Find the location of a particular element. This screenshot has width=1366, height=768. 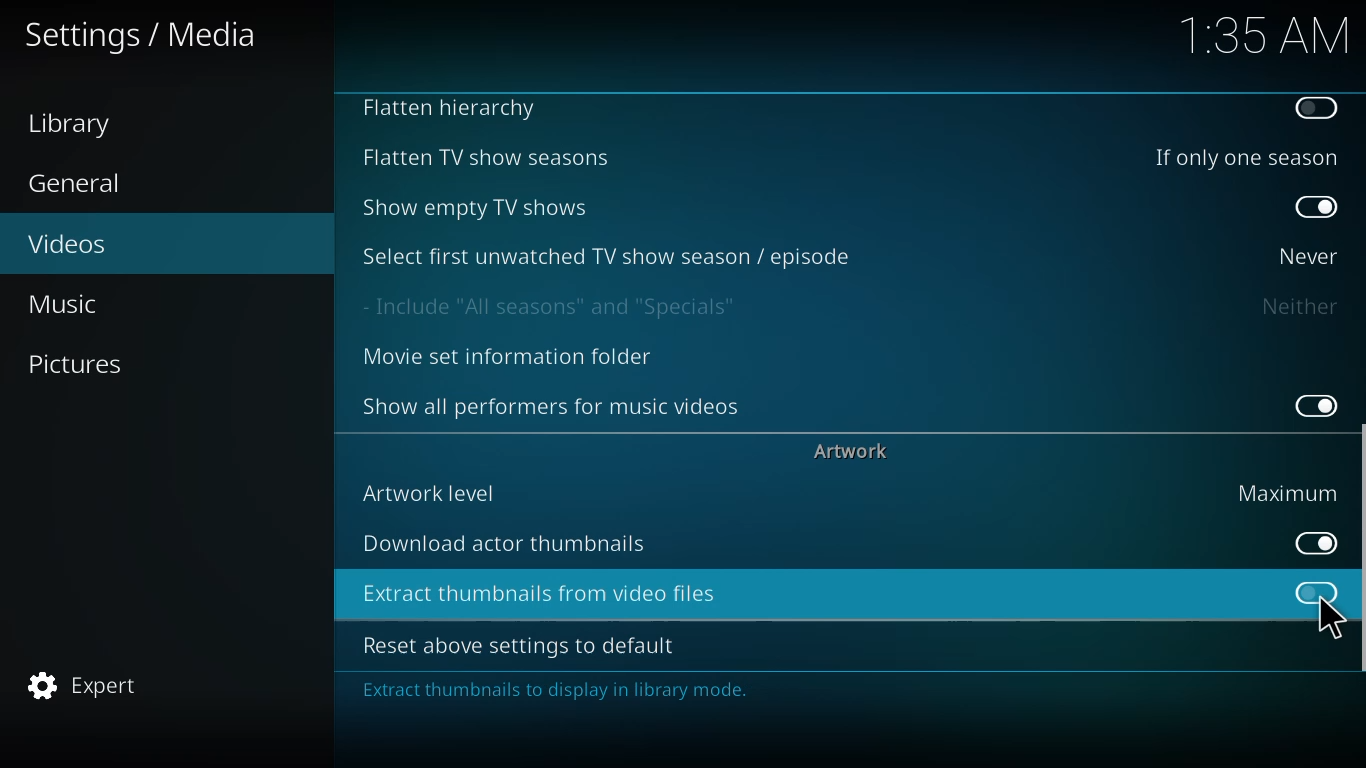

pictures is located at coordinates (79, 363).